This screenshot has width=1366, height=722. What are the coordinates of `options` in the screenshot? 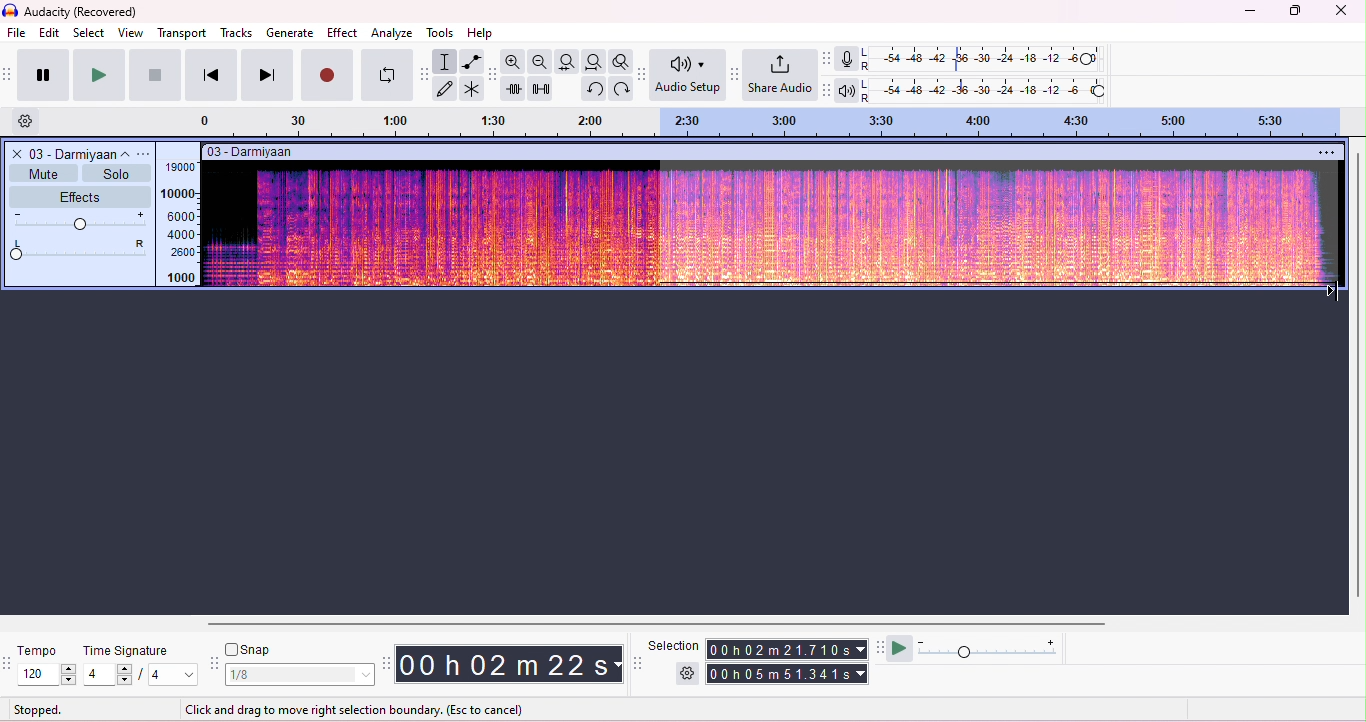 It's located at (147, 153).